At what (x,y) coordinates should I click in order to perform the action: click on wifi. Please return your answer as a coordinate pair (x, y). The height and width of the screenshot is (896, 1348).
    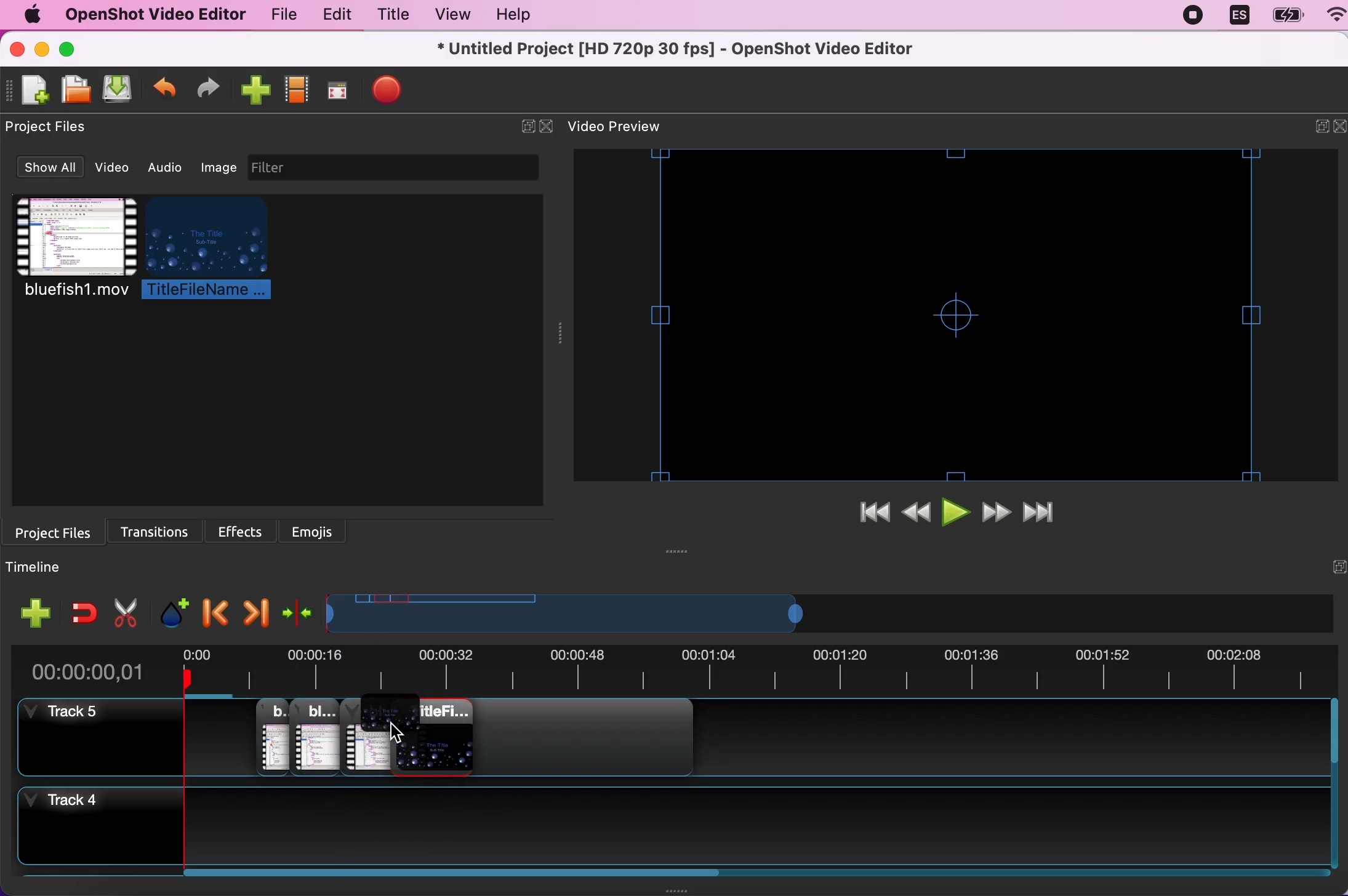
    Looking at the image, I should click on (1330, 17).